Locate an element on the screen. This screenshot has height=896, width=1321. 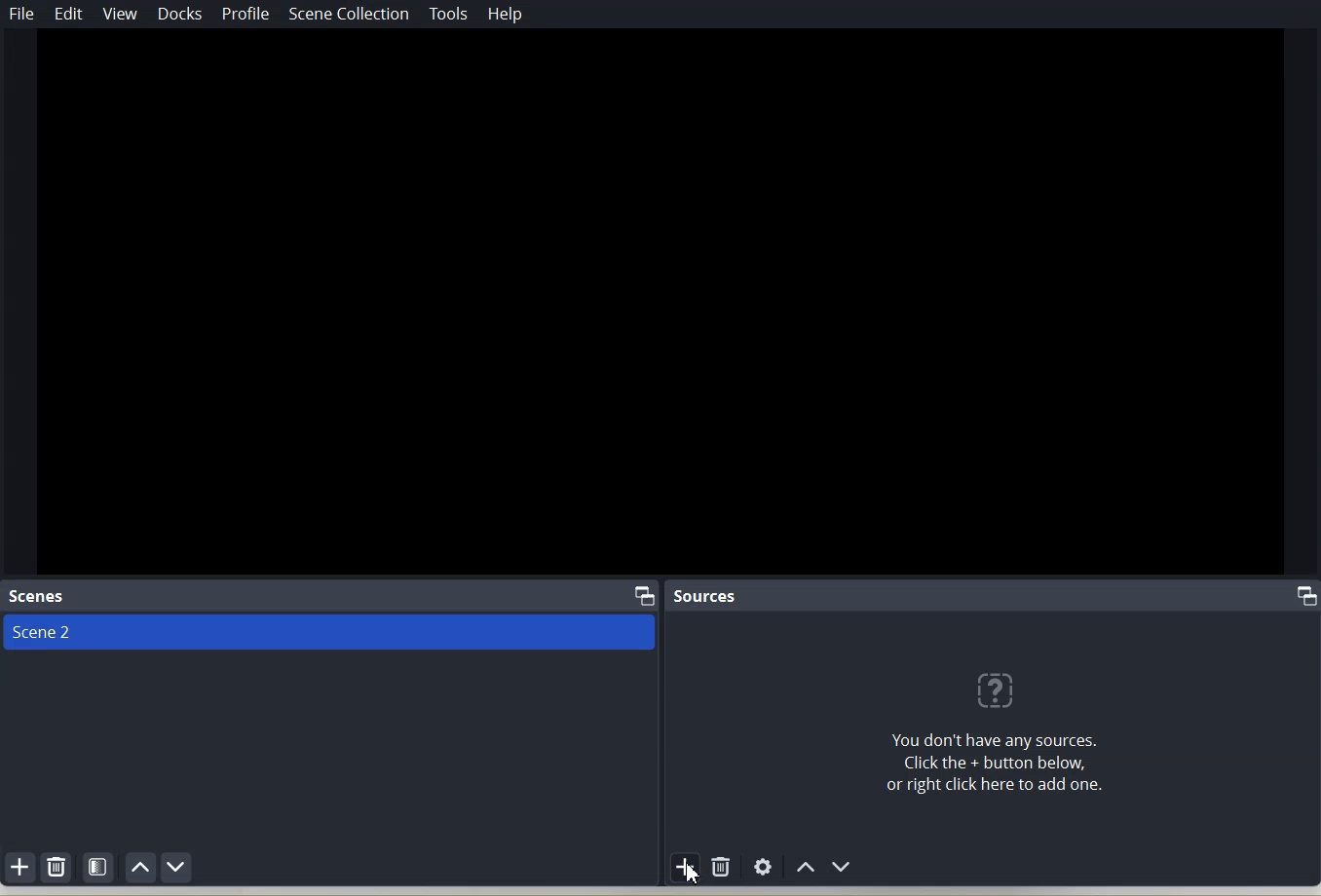
Scene 2 is located at coordinates (332, 633).